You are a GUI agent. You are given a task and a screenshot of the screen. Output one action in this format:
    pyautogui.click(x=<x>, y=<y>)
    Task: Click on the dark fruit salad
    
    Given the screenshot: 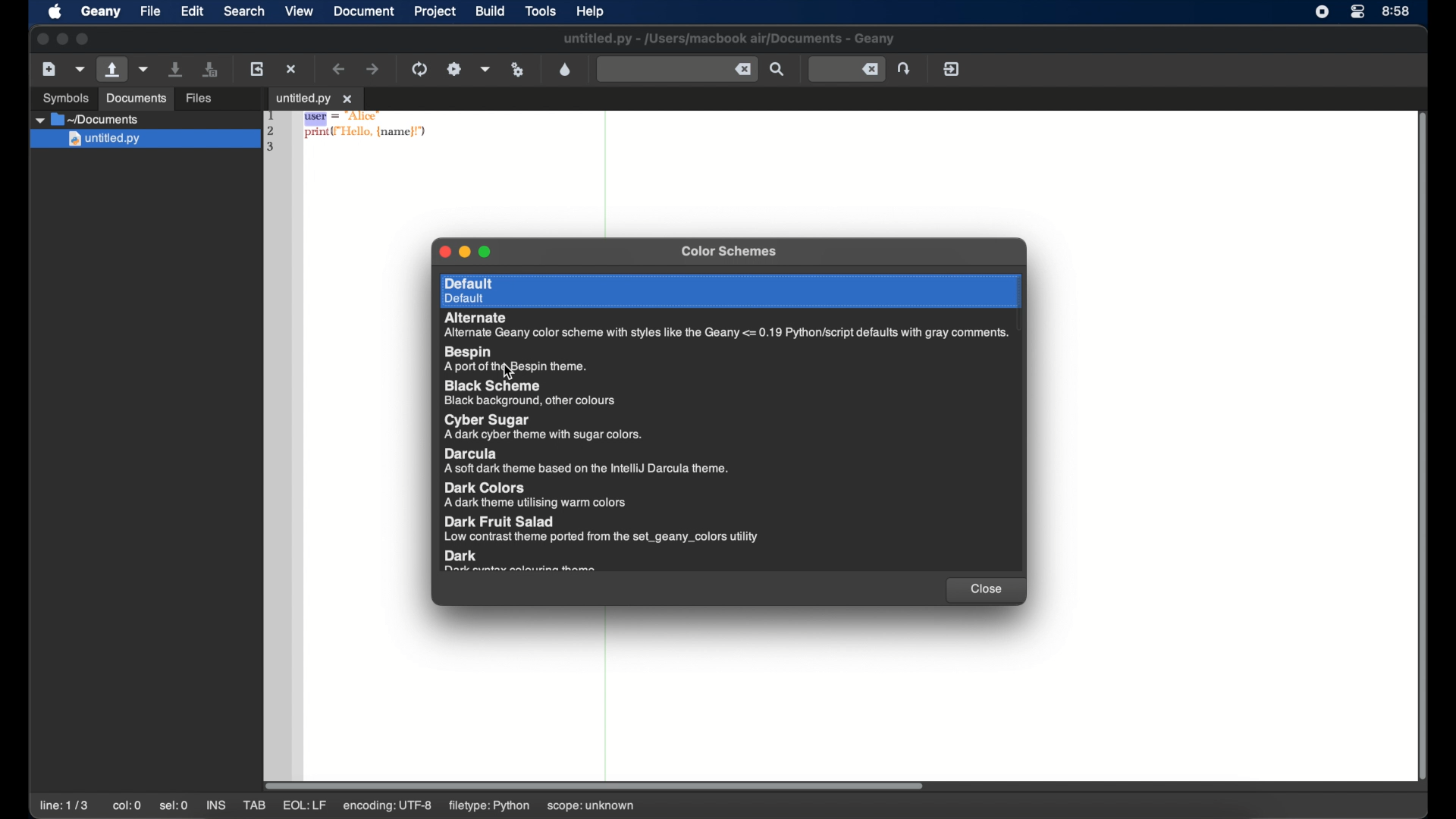 What is the action you would take?
    pyautogui.click(x=602, y=529)
    